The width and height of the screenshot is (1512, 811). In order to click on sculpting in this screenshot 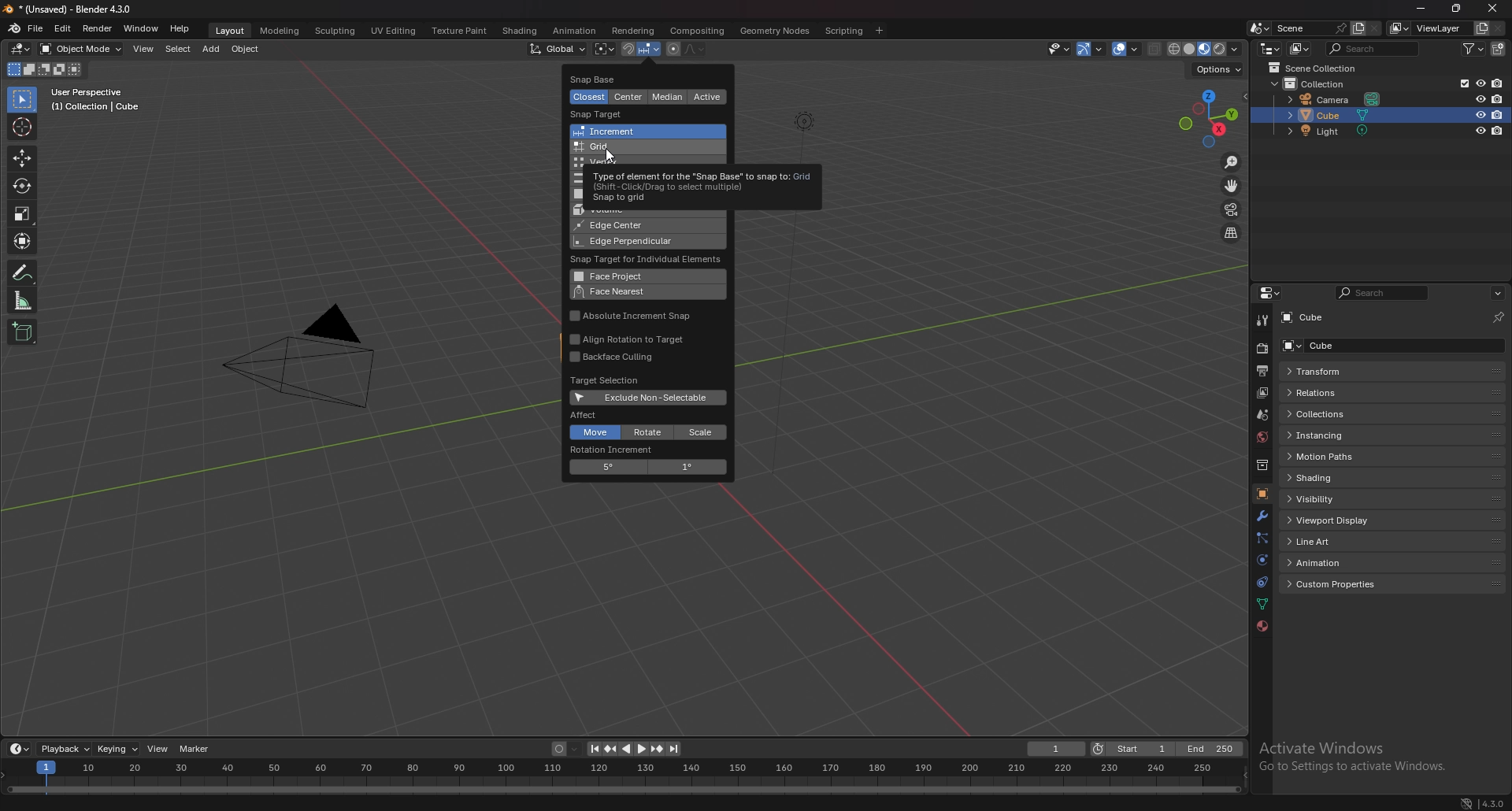, I will do `click(335, 30)`.